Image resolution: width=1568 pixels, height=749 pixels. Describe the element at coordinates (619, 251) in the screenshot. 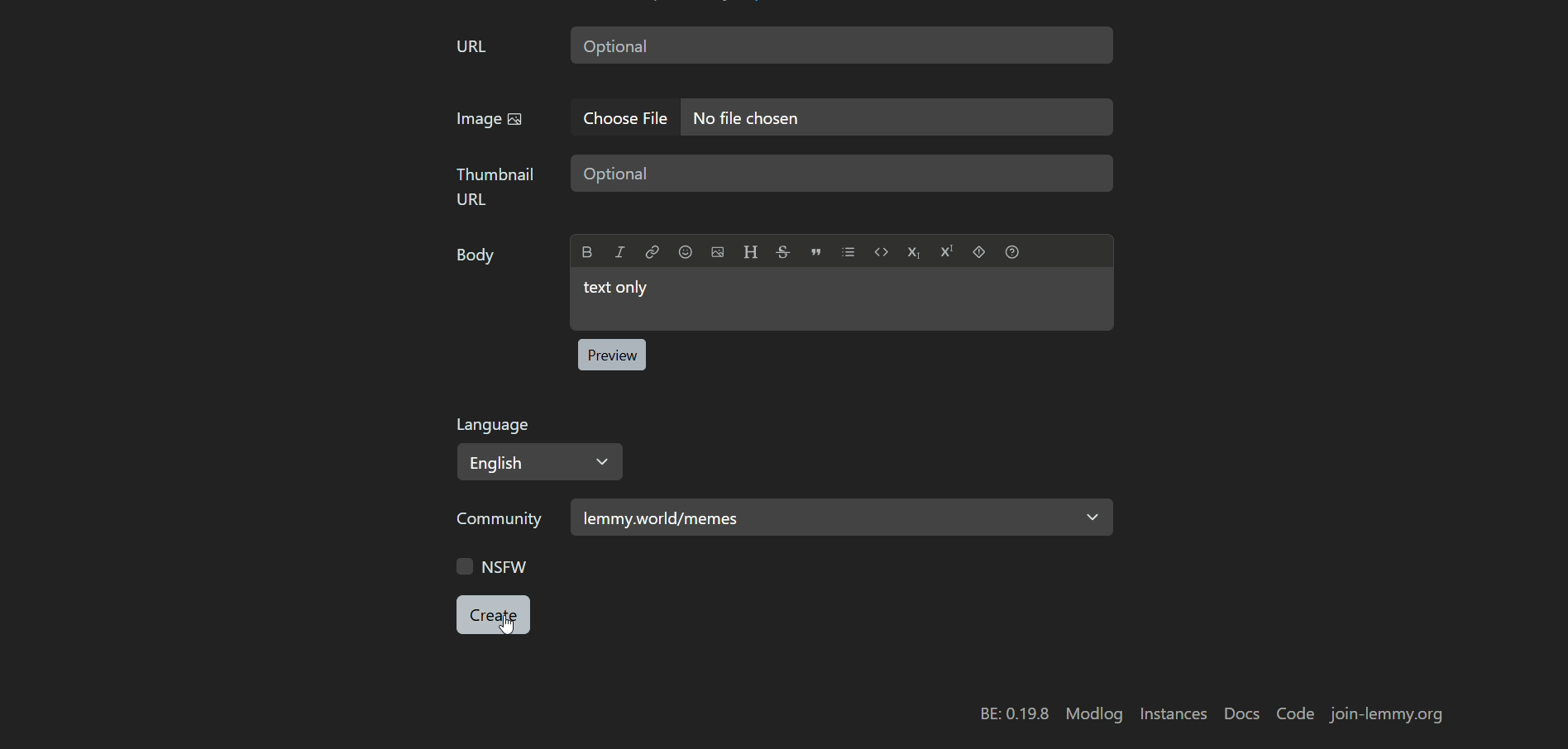

I see `Italic` at that location.